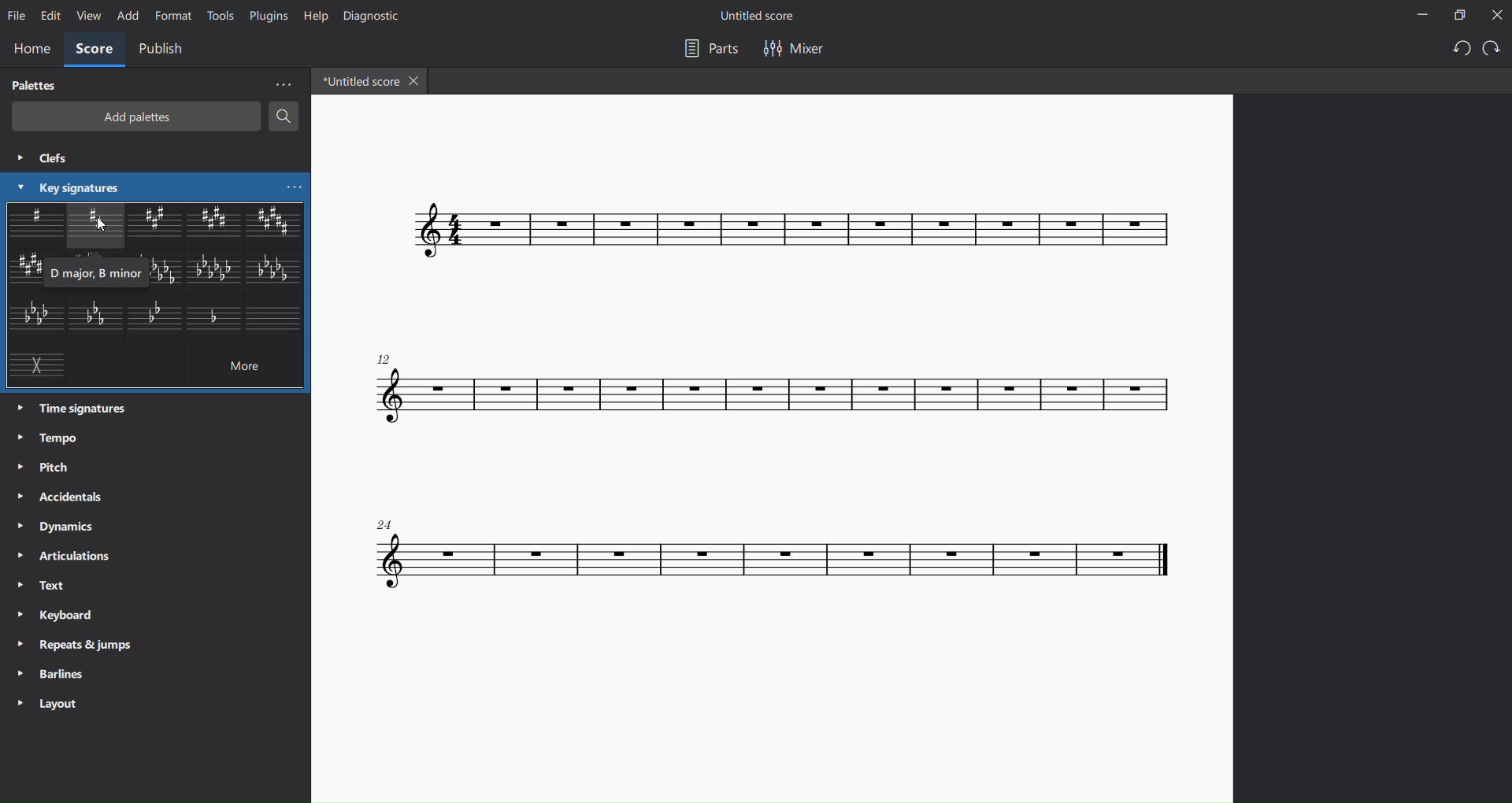  What do you see at coordinates (127, 14) in the screenshot?
I see `add` at bounding box center [127, 14].